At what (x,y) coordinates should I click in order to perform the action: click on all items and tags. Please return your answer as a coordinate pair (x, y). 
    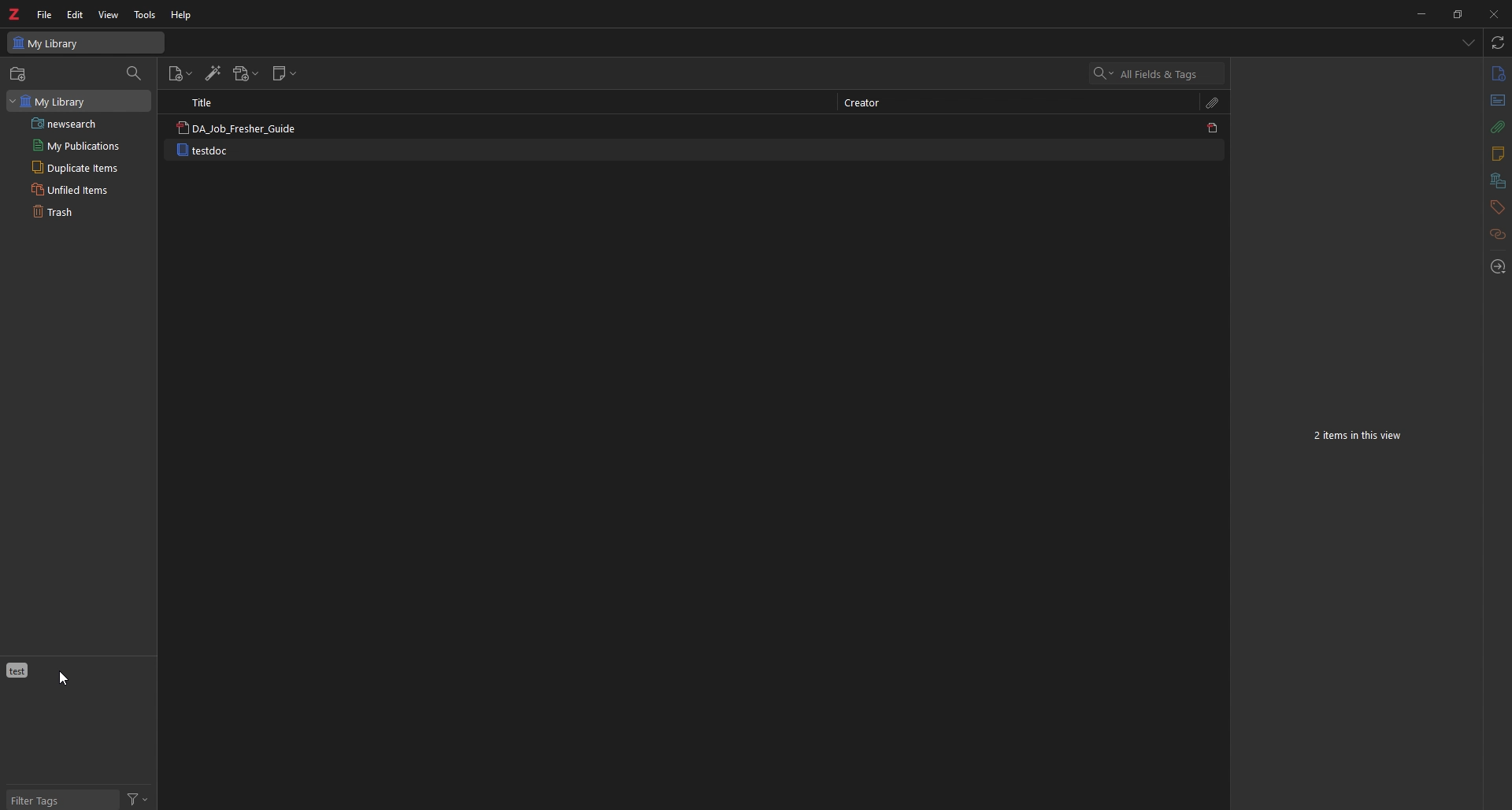
    Looking at the image, I should click on (1158, 73).